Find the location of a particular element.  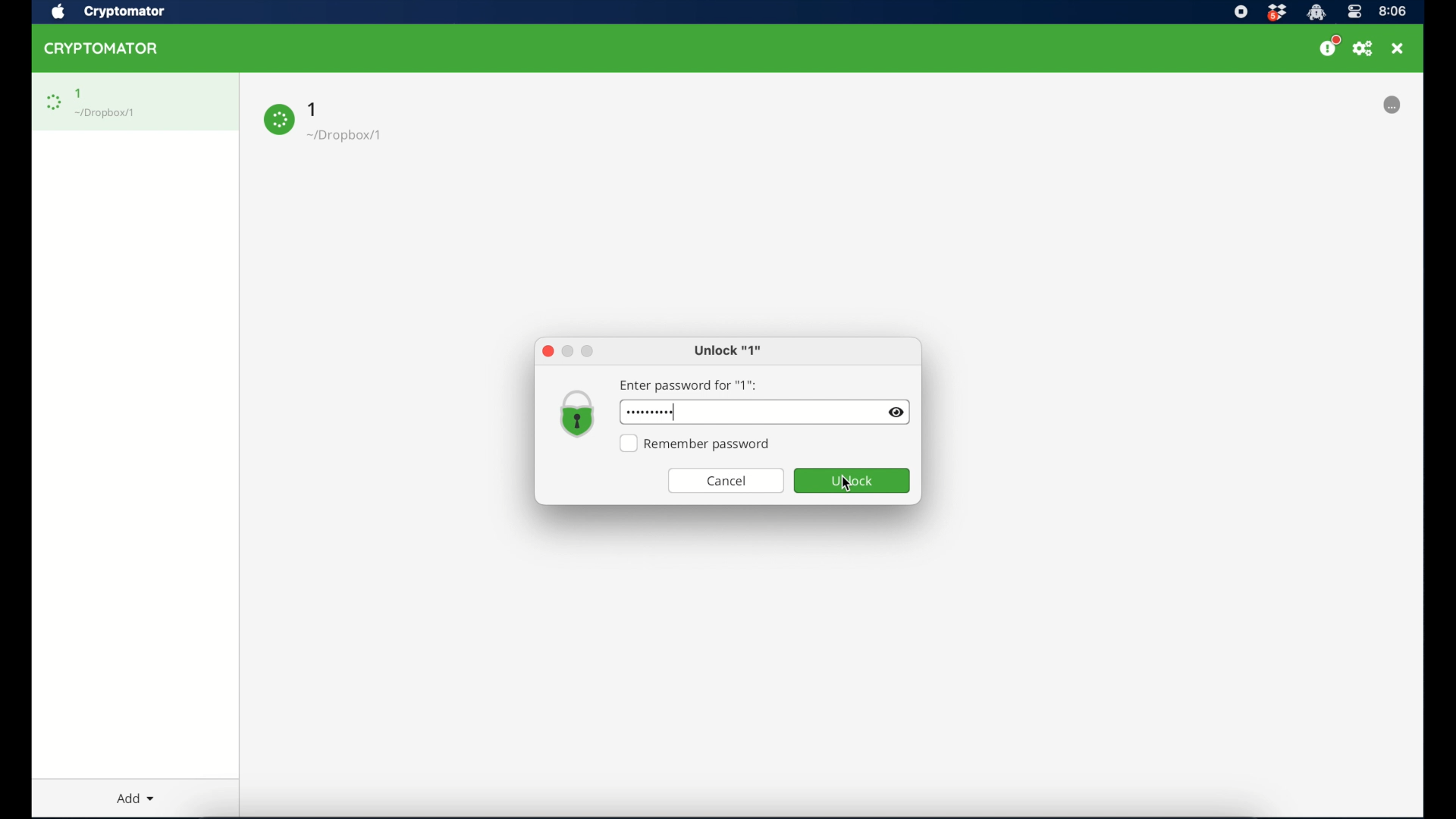

loading is located at coordinates (52, 103).